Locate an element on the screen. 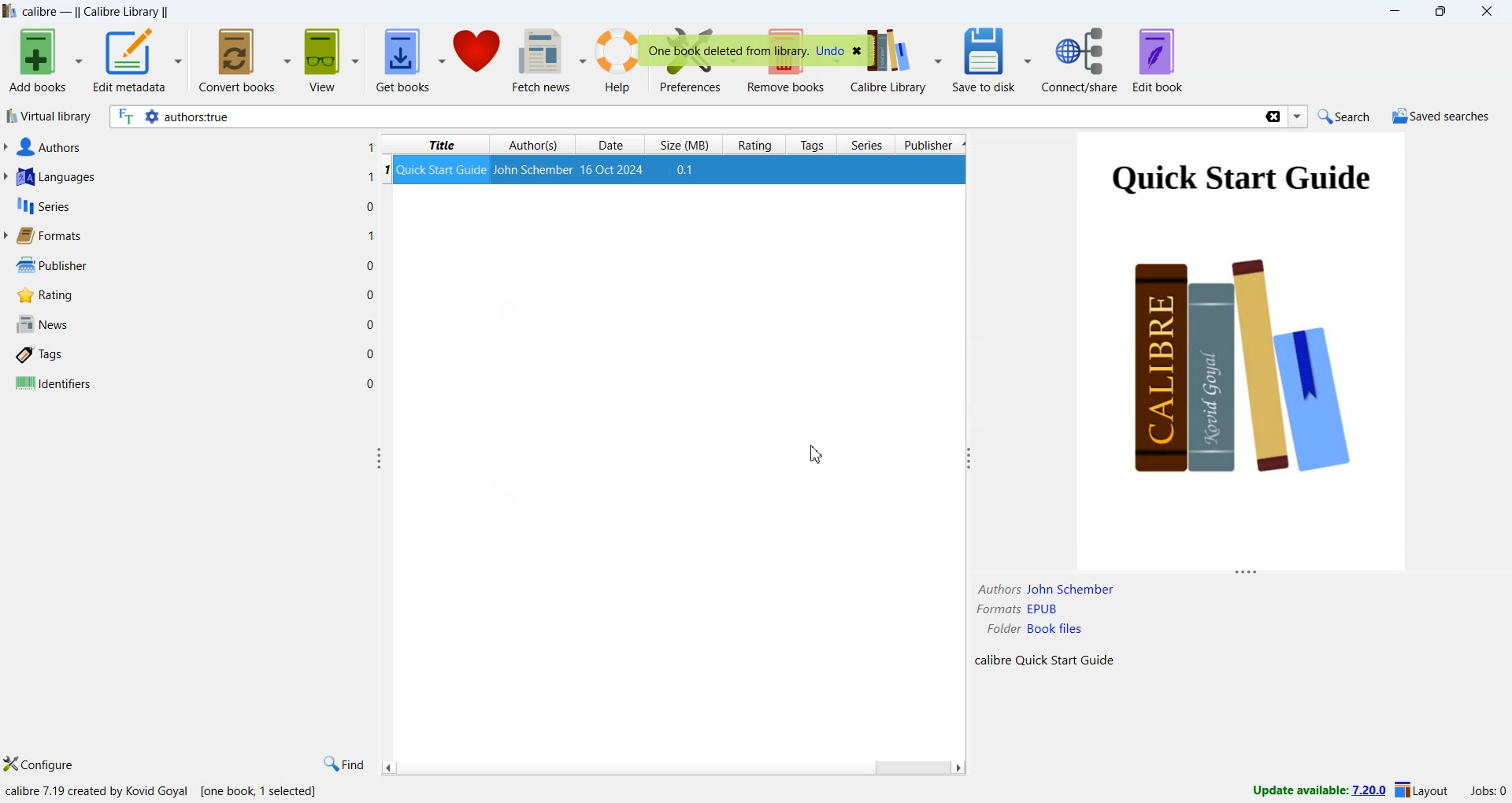 This screenshot has height=803, width=1512. calibre library is located at coordinates (910, 60).